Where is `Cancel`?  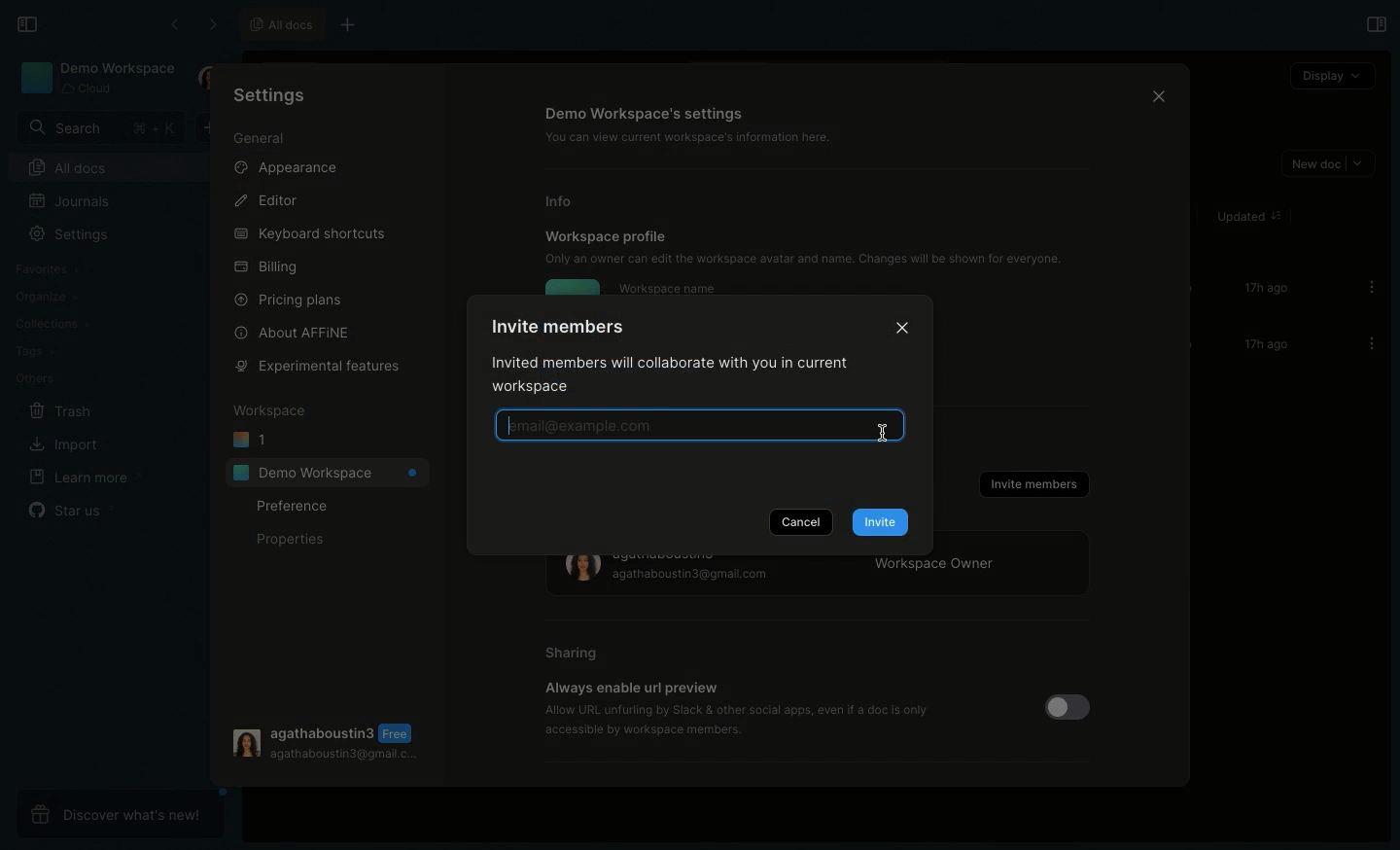
Cancel is located at coordinates (798, 523).